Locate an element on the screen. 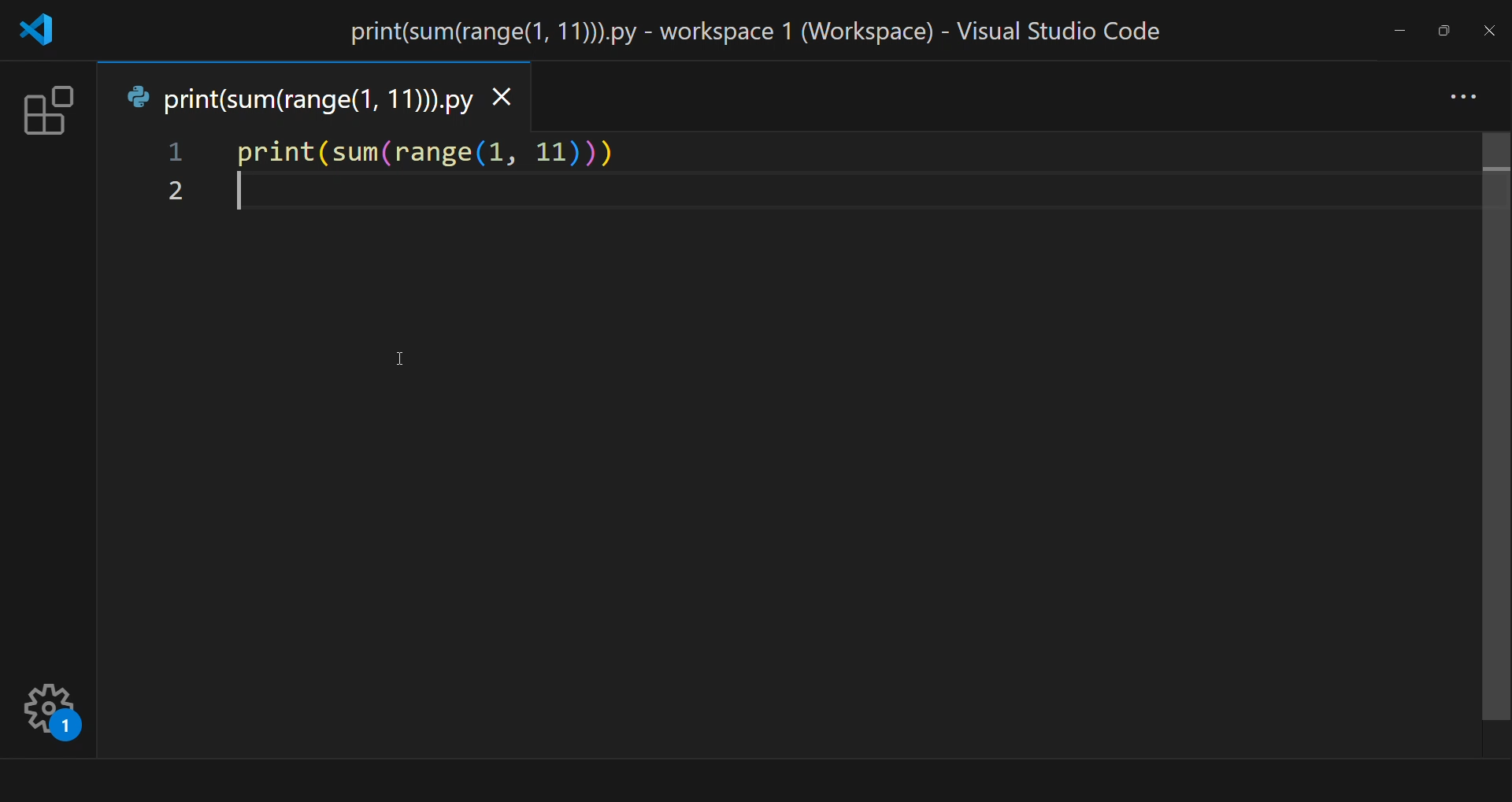  tab name is located at coordinates (298, 95).